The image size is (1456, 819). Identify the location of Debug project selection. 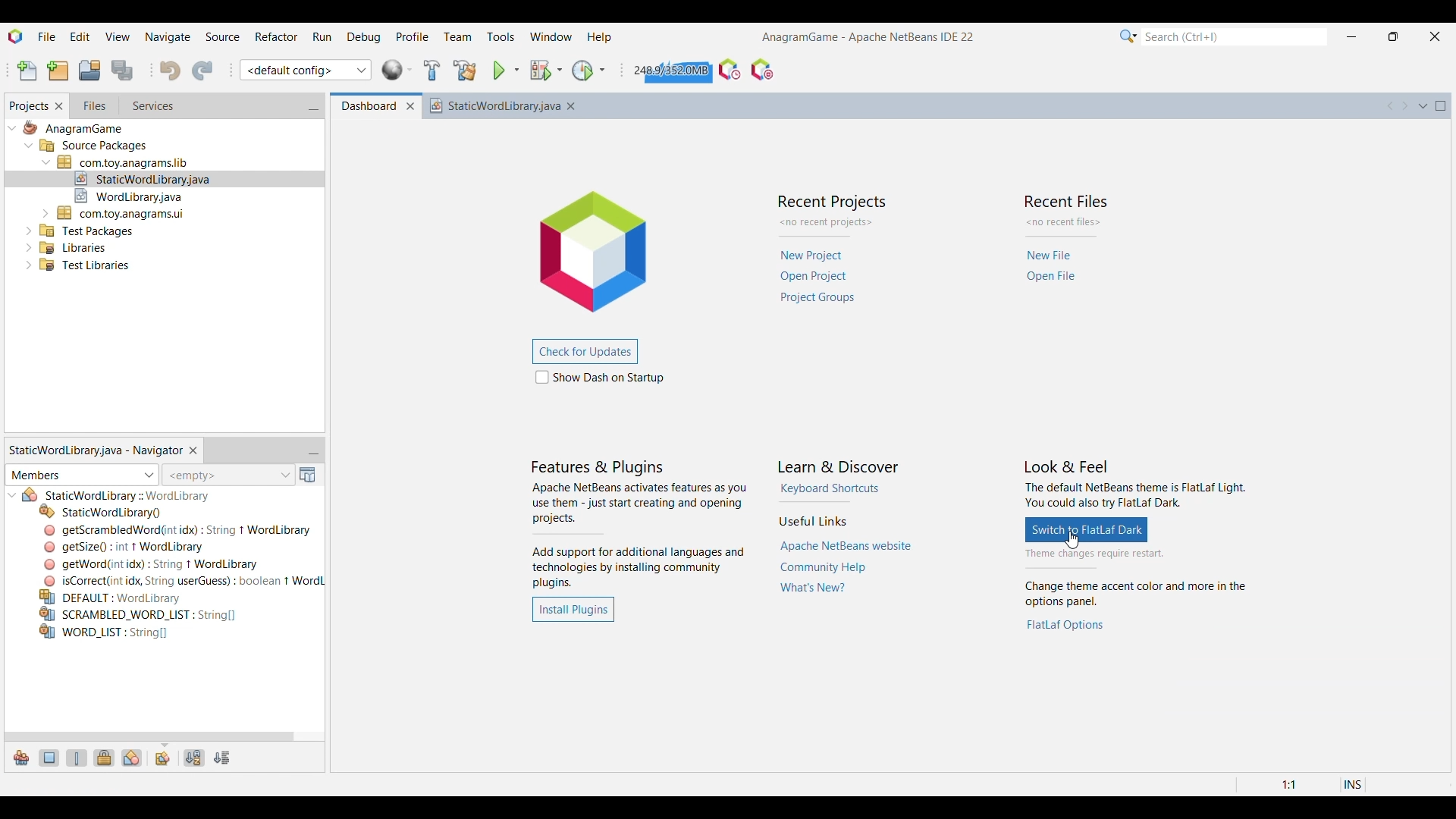
(540, 71).